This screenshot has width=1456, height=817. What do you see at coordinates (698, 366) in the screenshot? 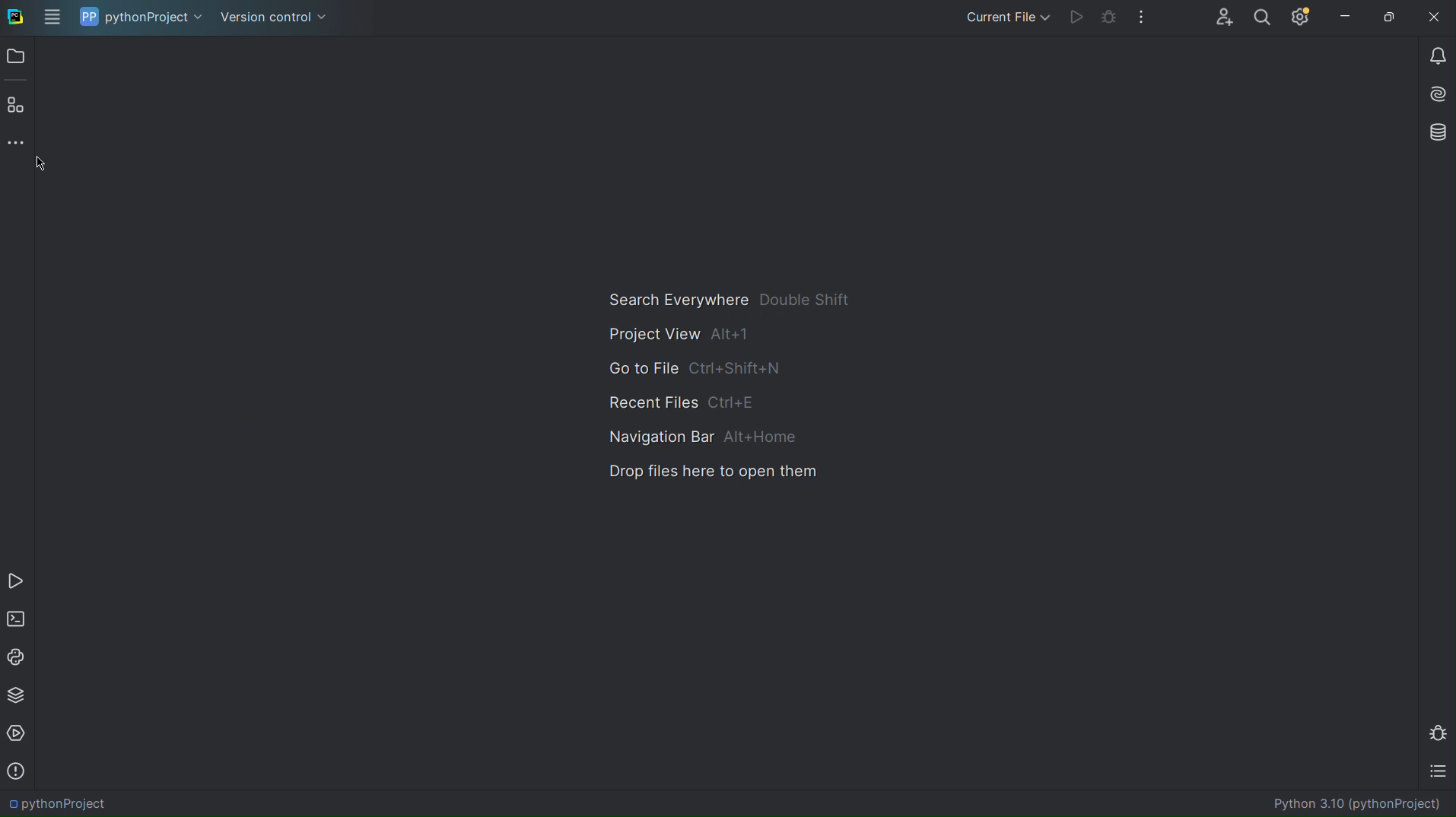
I see `Go to File` at bounding box center [698, 366].